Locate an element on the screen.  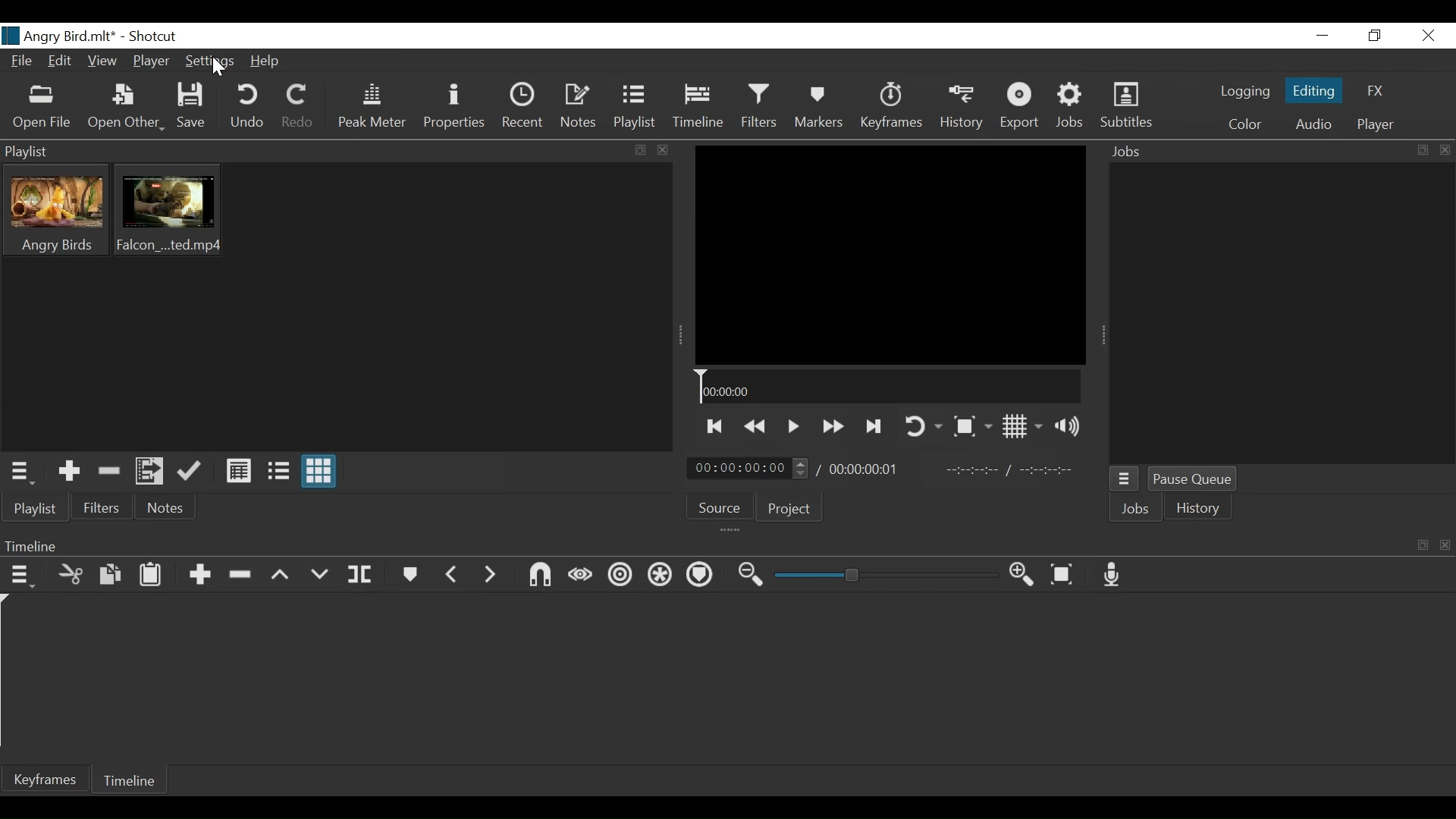
Help is located at coordinates (268, 62).